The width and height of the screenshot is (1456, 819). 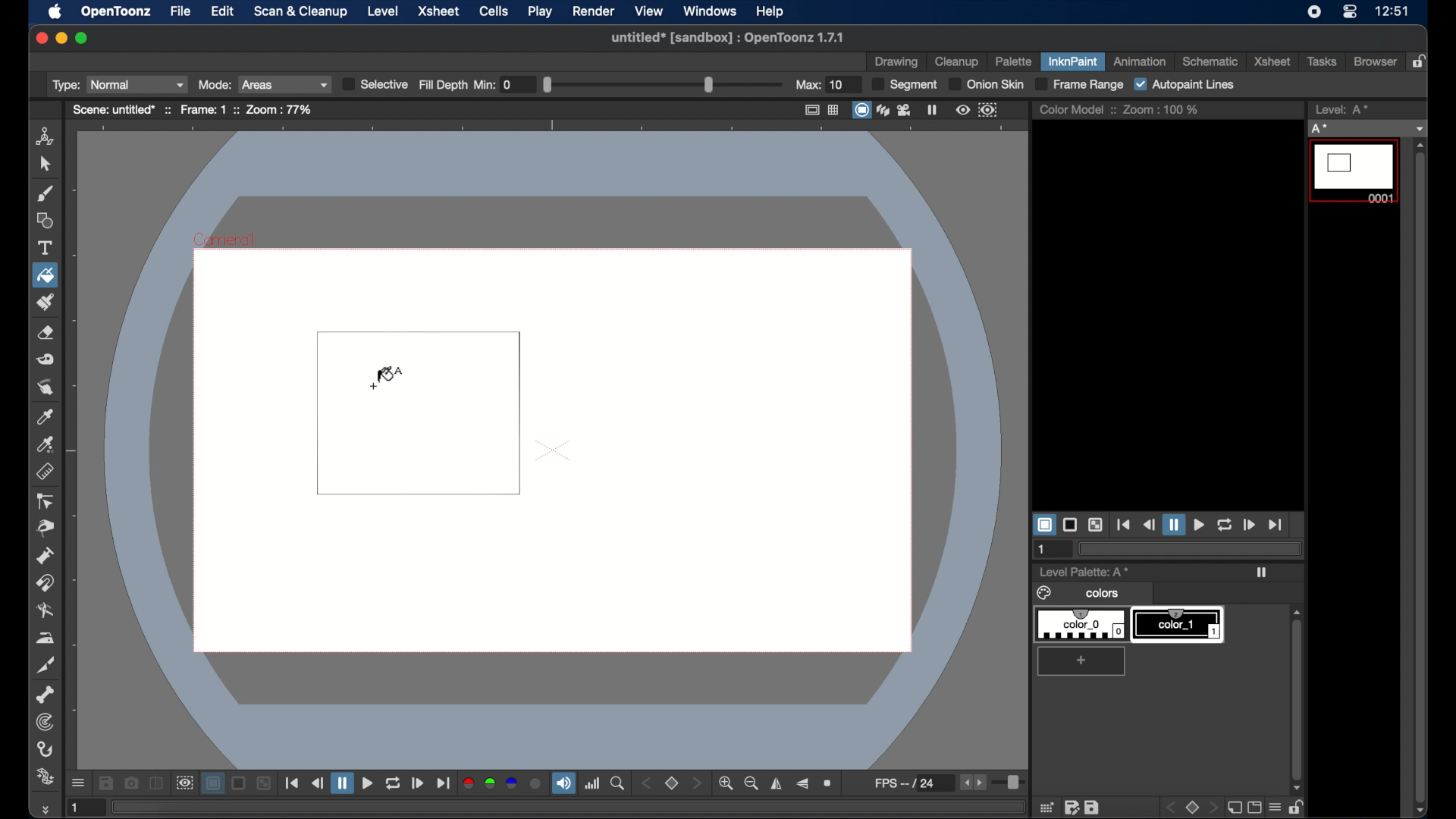 What do you see at coordinates (45, 695) in the screenshot?
I see `skeleton tool` at bounding box center [45, 695].